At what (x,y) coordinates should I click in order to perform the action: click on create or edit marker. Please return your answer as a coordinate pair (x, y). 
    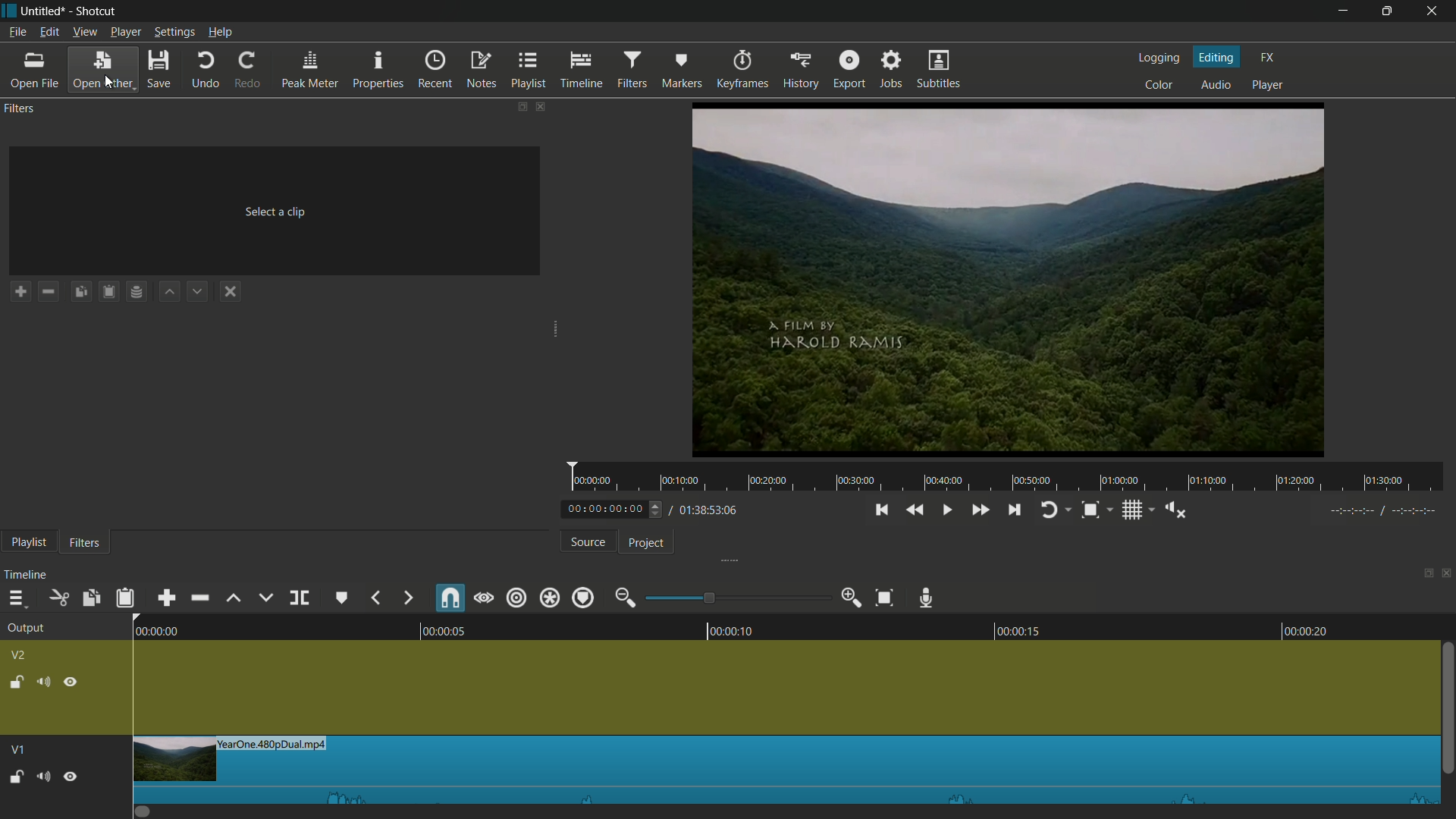
    Looking at the image, I should click on (342, 597).